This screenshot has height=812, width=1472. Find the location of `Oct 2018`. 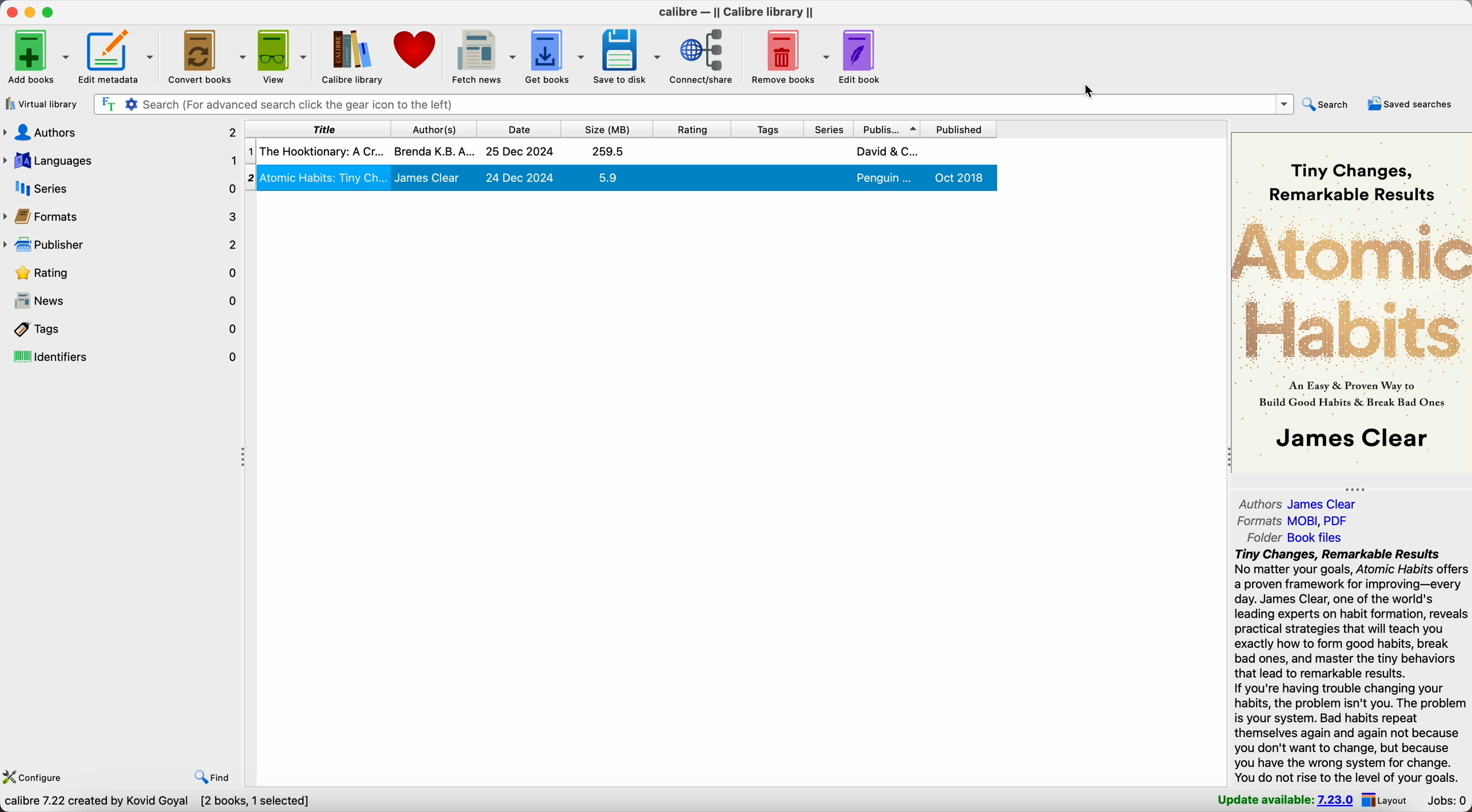

Oct 2018 is located at coordinates (961, 177).